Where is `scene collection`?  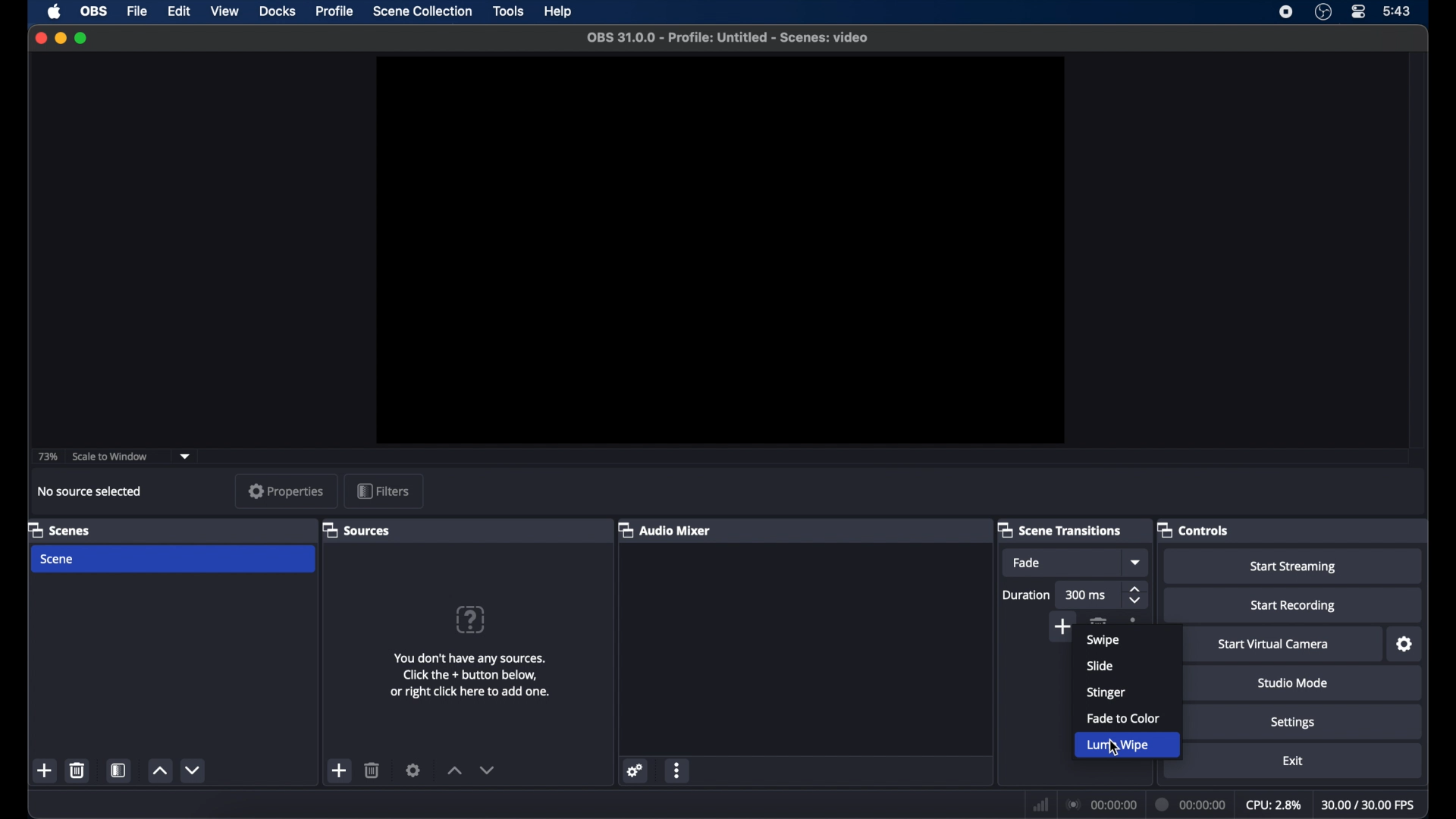 scene collection is located at coordinates (423, 11).